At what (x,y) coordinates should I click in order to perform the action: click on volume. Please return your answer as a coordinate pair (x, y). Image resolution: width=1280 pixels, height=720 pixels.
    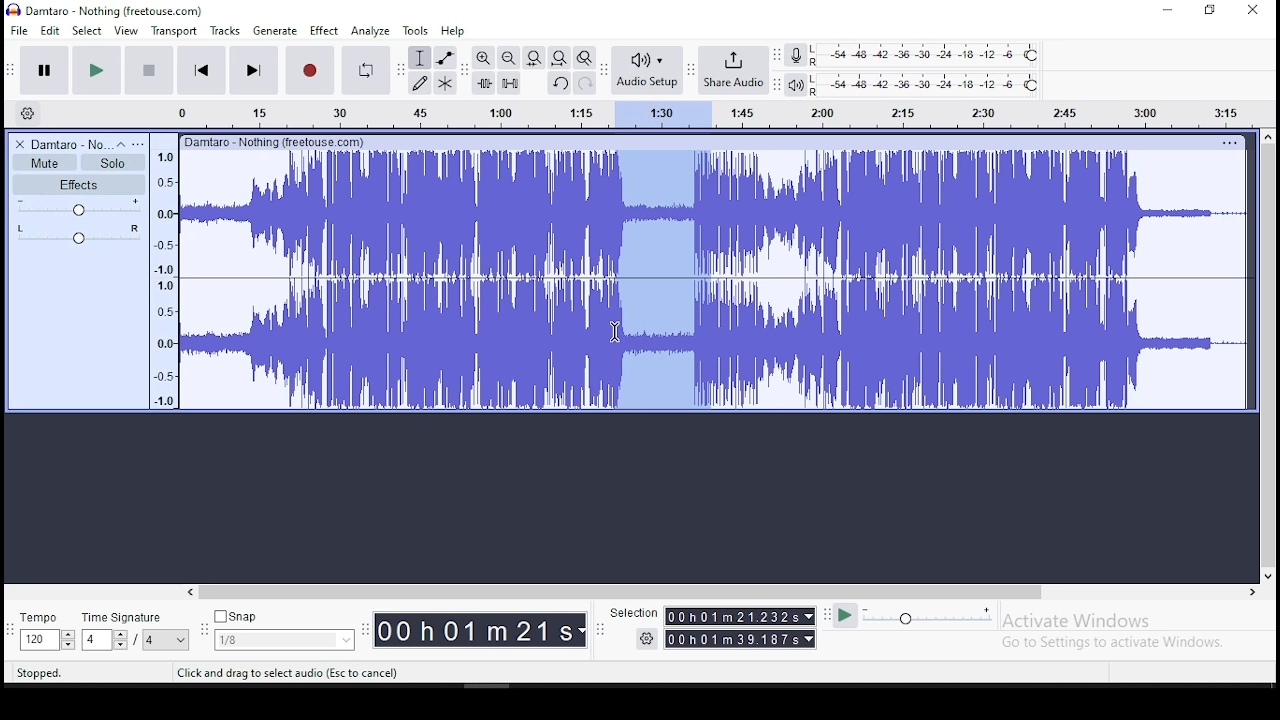
    Looking at the image, I should click on (80, 207).